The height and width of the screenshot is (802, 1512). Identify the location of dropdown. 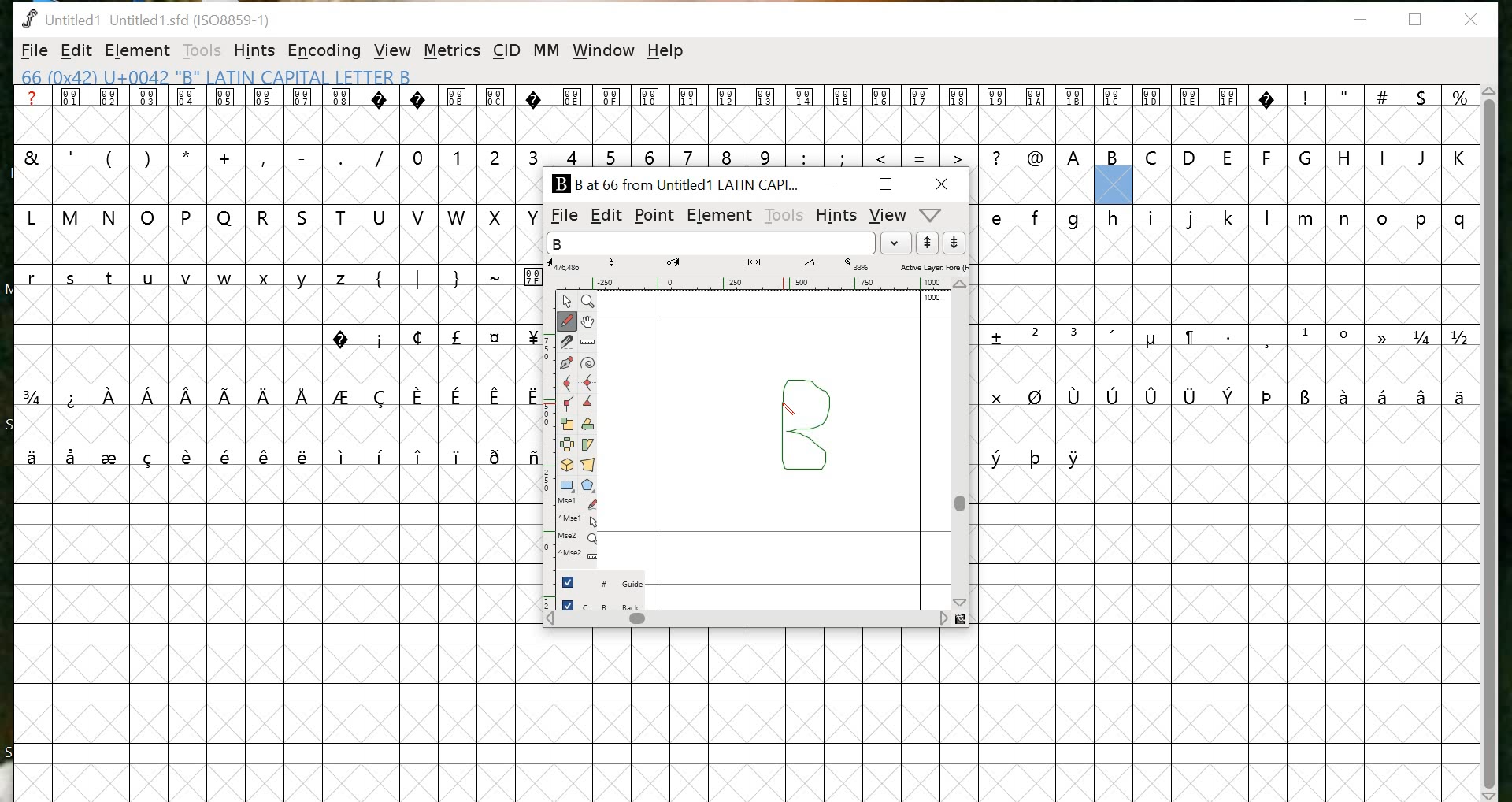
(896, 243).